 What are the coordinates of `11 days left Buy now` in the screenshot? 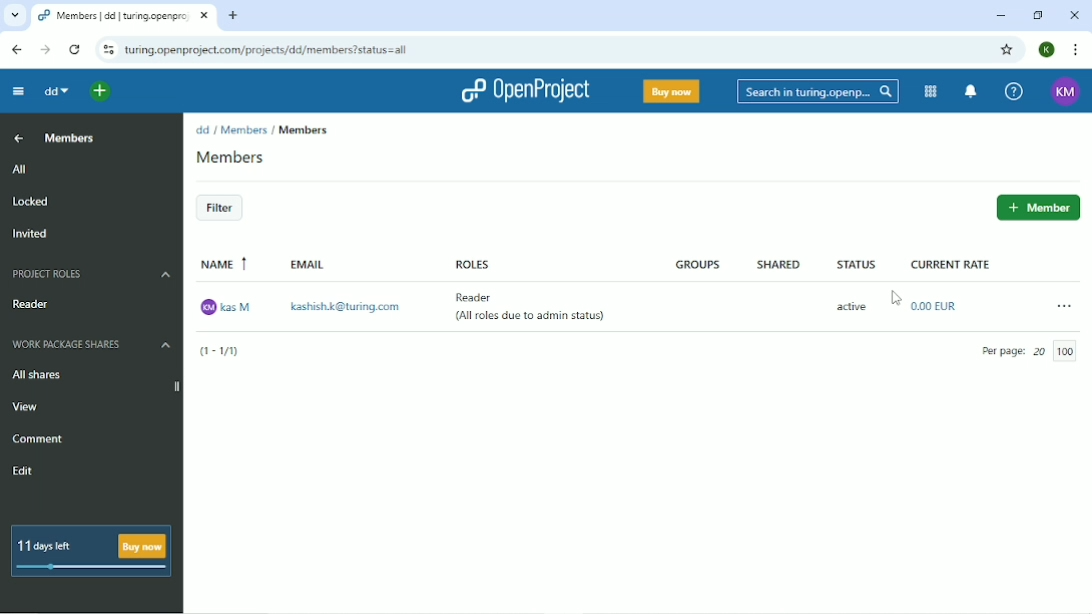 It's located at (97, 548).